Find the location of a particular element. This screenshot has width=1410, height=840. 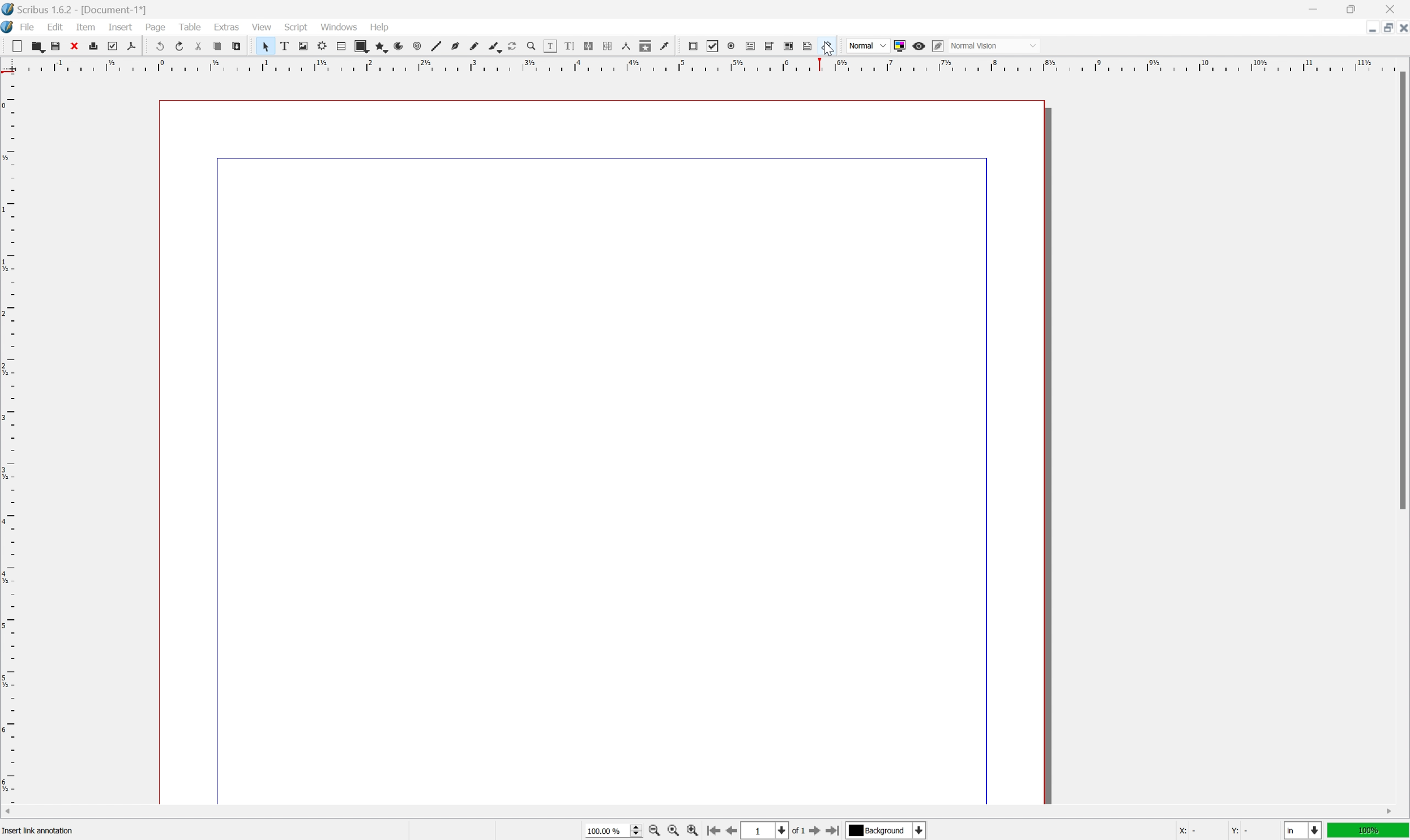

select current page is located at coordinates (772, 831).